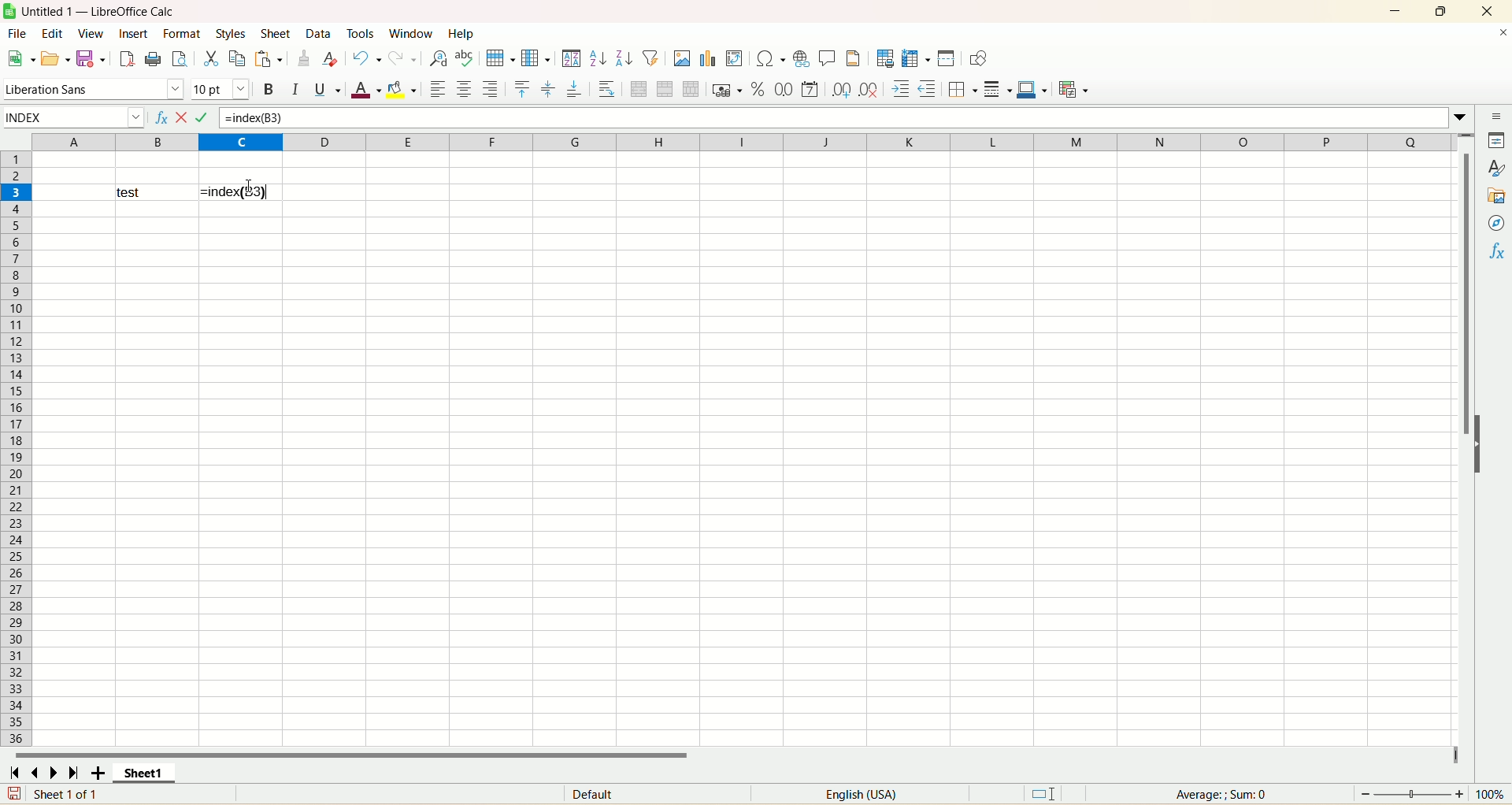 The height and width of the screenshot is (805, 1512). What do you see at coordinates (535, 57) in the screenshot?
I see `column` at bounding box center [535, 57].